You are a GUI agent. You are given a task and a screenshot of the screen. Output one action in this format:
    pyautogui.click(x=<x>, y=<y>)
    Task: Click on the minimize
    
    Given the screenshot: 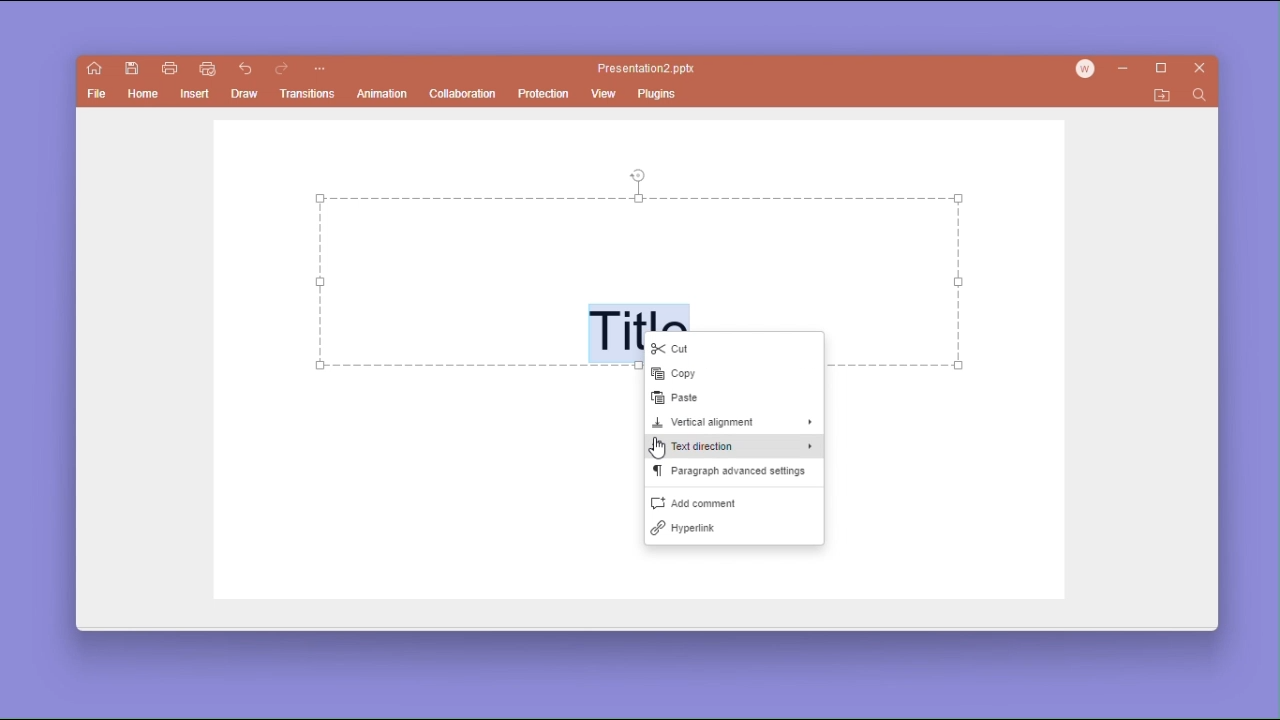 What is the action you would take?
    pyautogui.click(x=1127, y=70)
    